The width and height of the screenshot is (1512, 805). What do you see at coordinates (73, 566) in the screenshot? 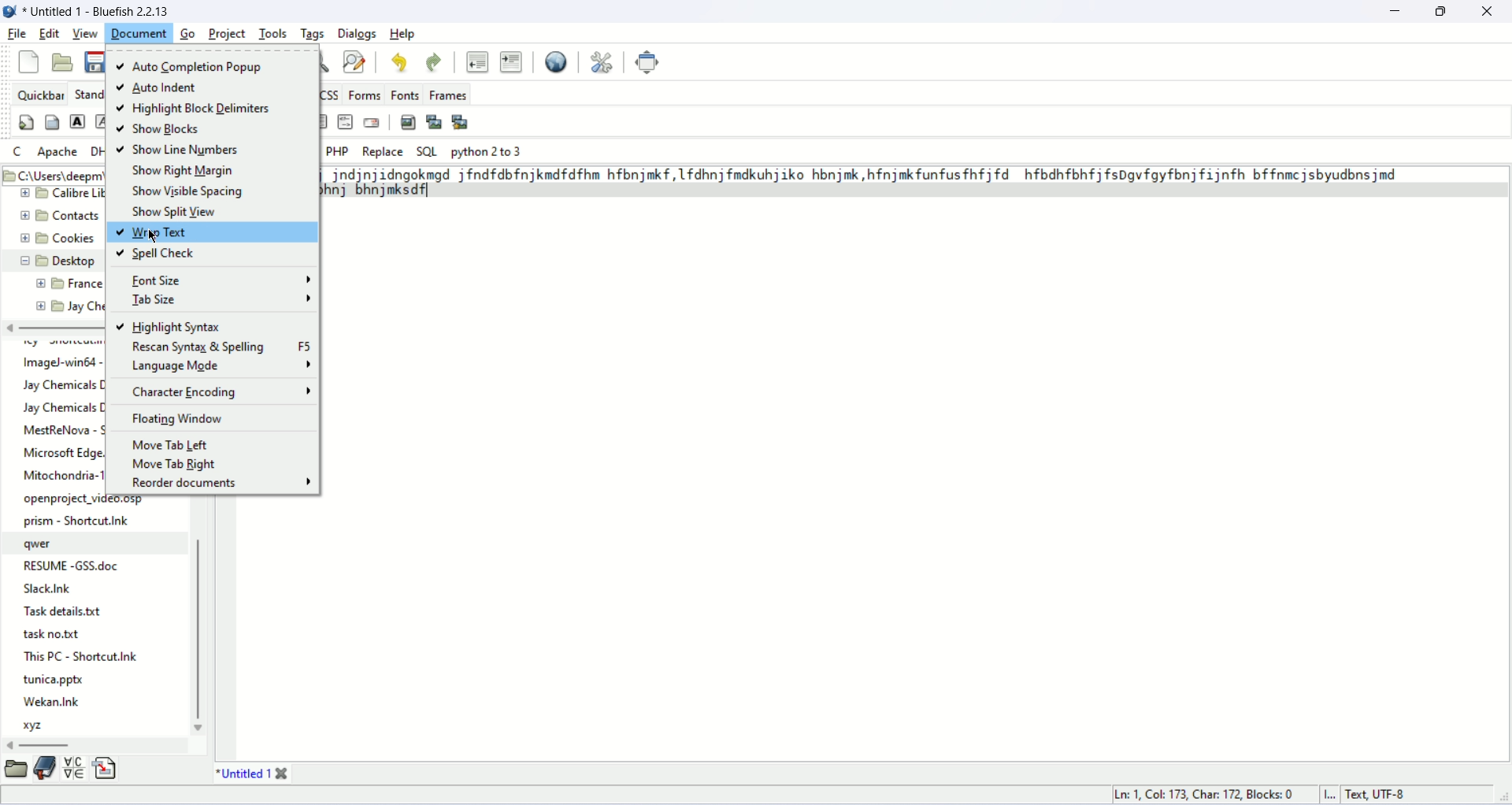
I see `RESUME -GSS.doc` at bounding box center [73, 566].